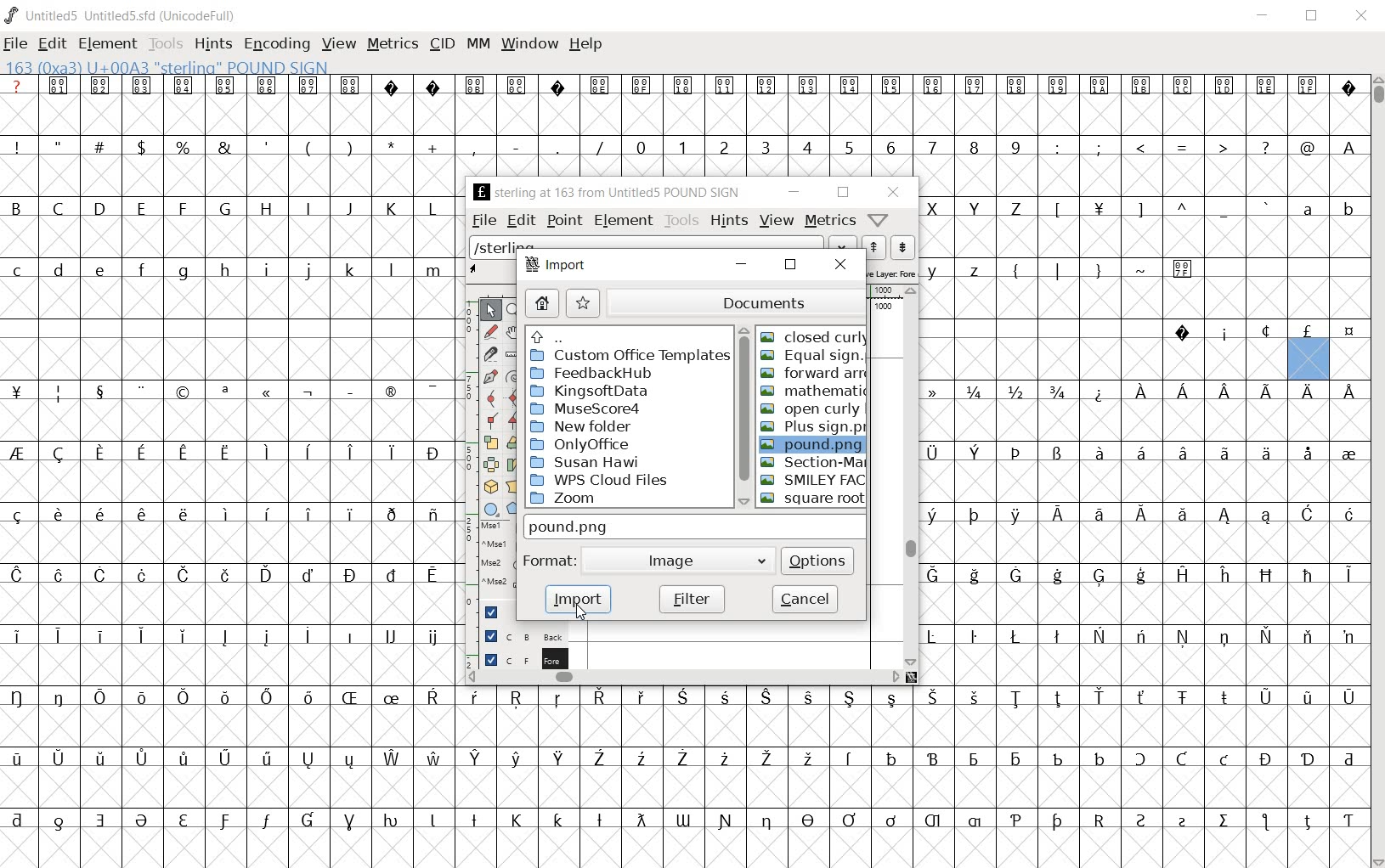 The height and width of the screenshot is (868, 1385). What do you see at coordinates (21, 697) in the screenshot?
I see `Symbol` at bounding box center [21, 697].